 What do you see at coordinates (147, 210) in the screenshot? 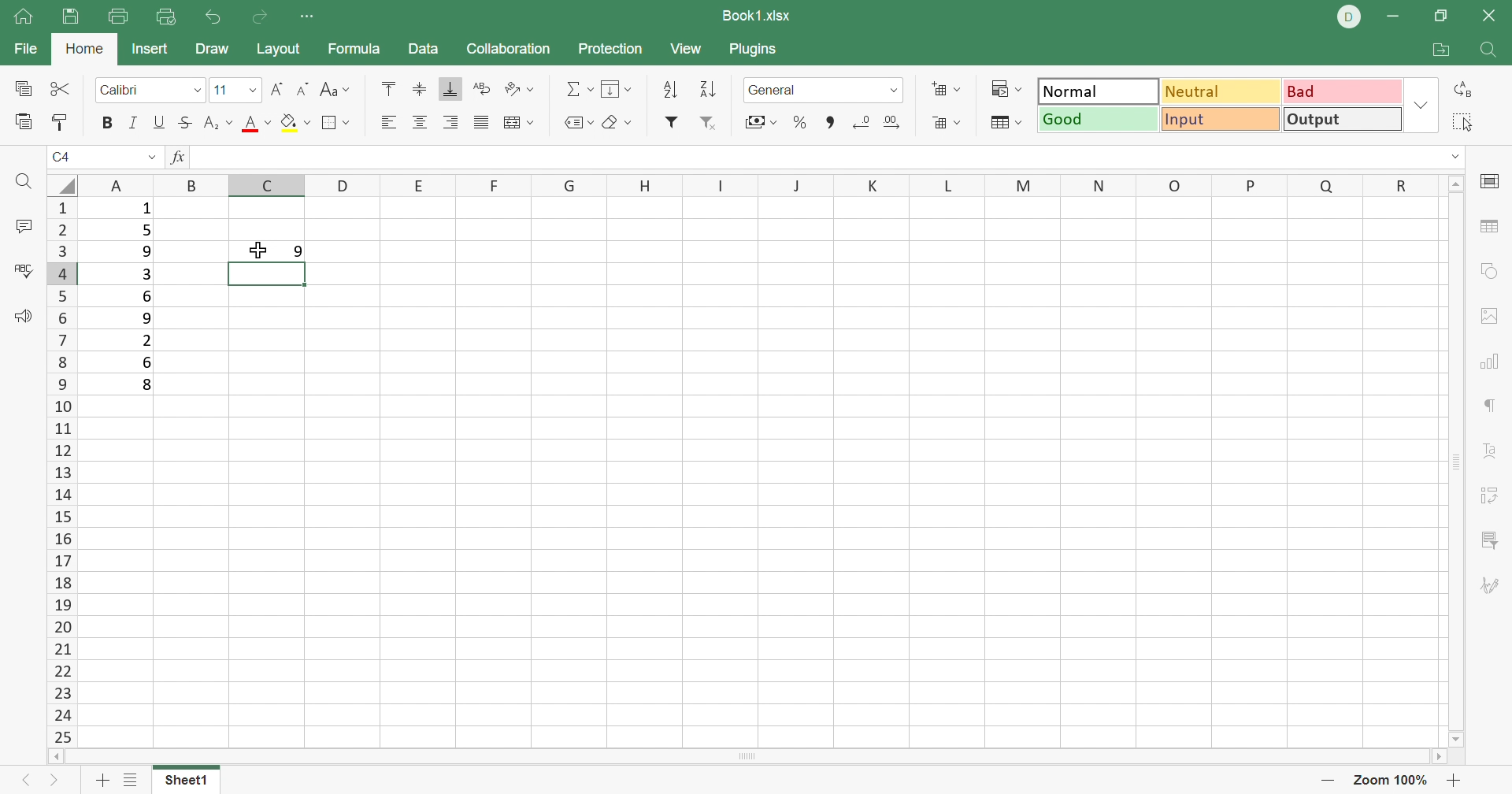
I see `1` at bounding box center [147, 210].